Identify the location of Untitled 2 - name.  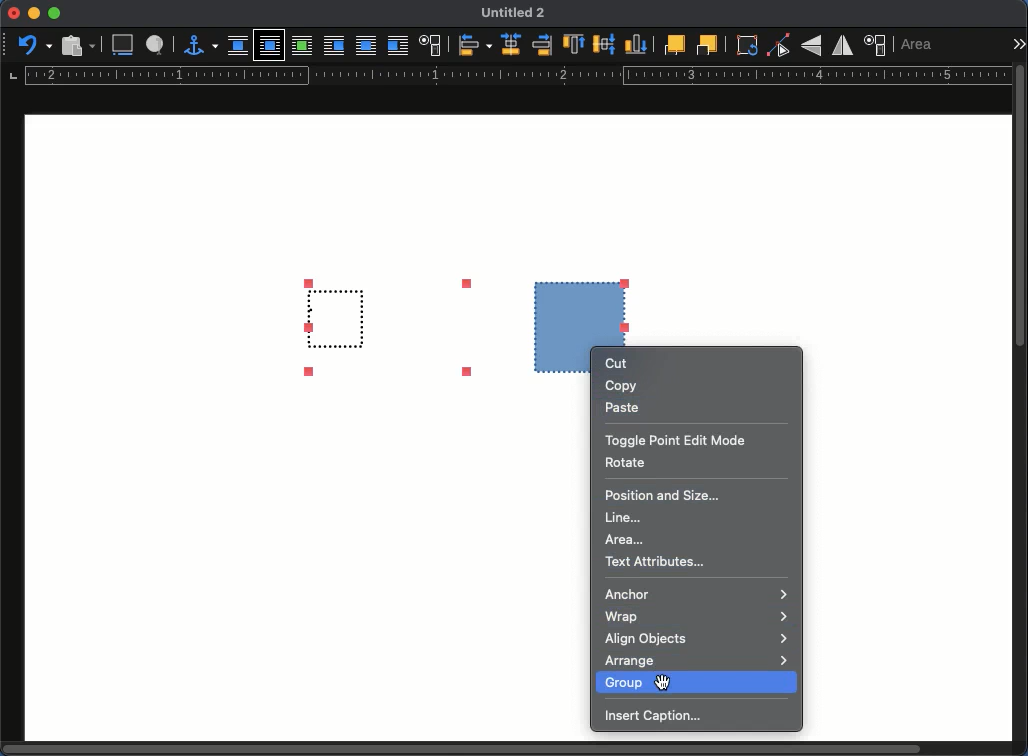
(515, 11).